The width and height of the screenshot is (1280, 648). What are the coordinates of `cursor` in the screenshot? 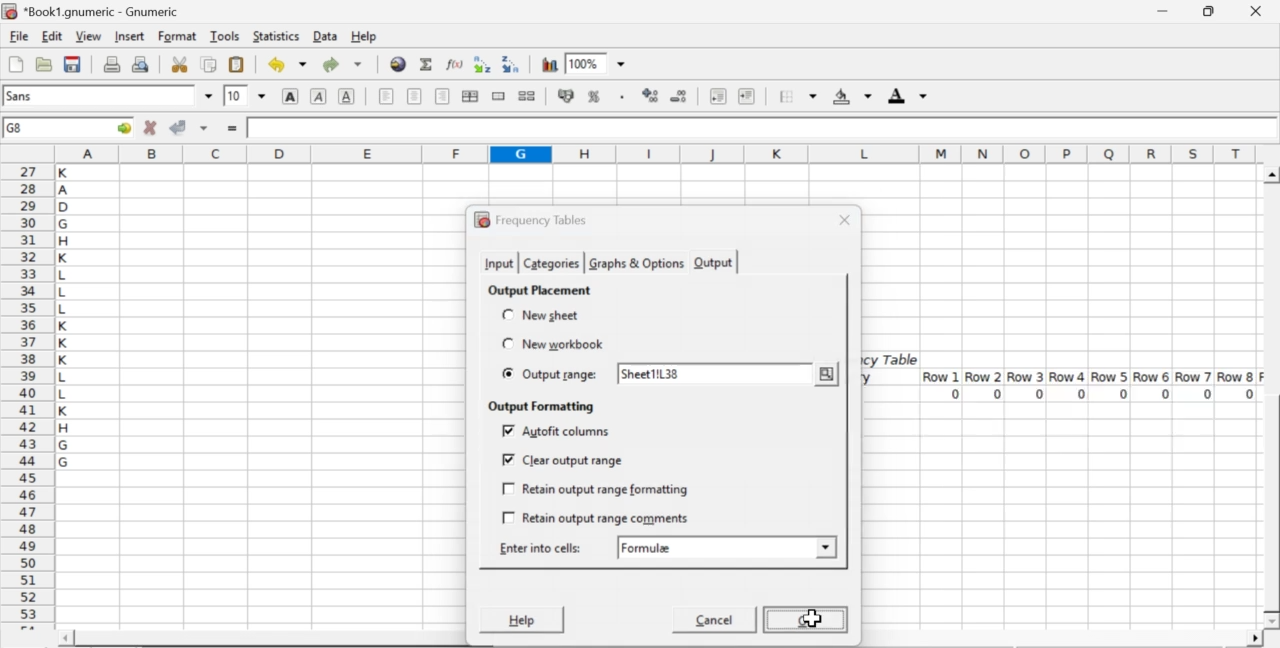 It's located at (813, 629).